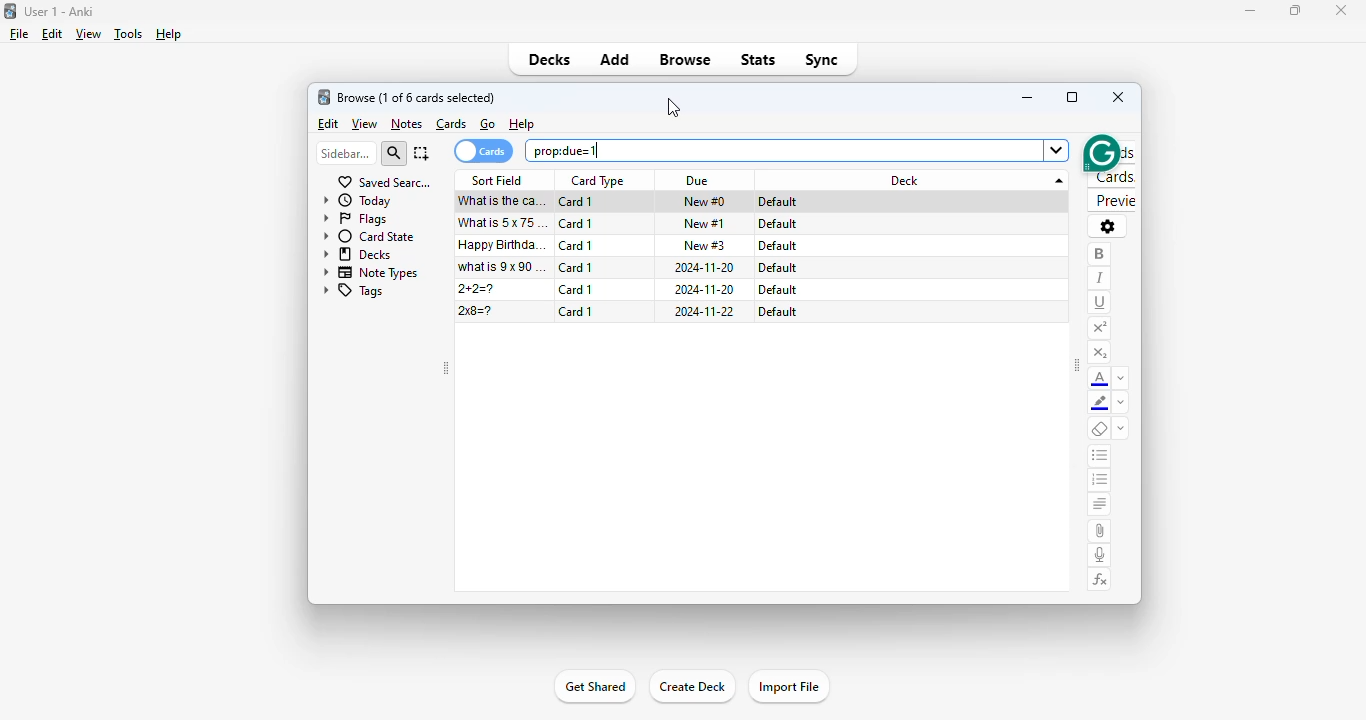 Image resolution: width=1366 pixels, height=720 pixels. Describe the element at coordinates (371, 236) in the screenshot. I see `card state` at that location.